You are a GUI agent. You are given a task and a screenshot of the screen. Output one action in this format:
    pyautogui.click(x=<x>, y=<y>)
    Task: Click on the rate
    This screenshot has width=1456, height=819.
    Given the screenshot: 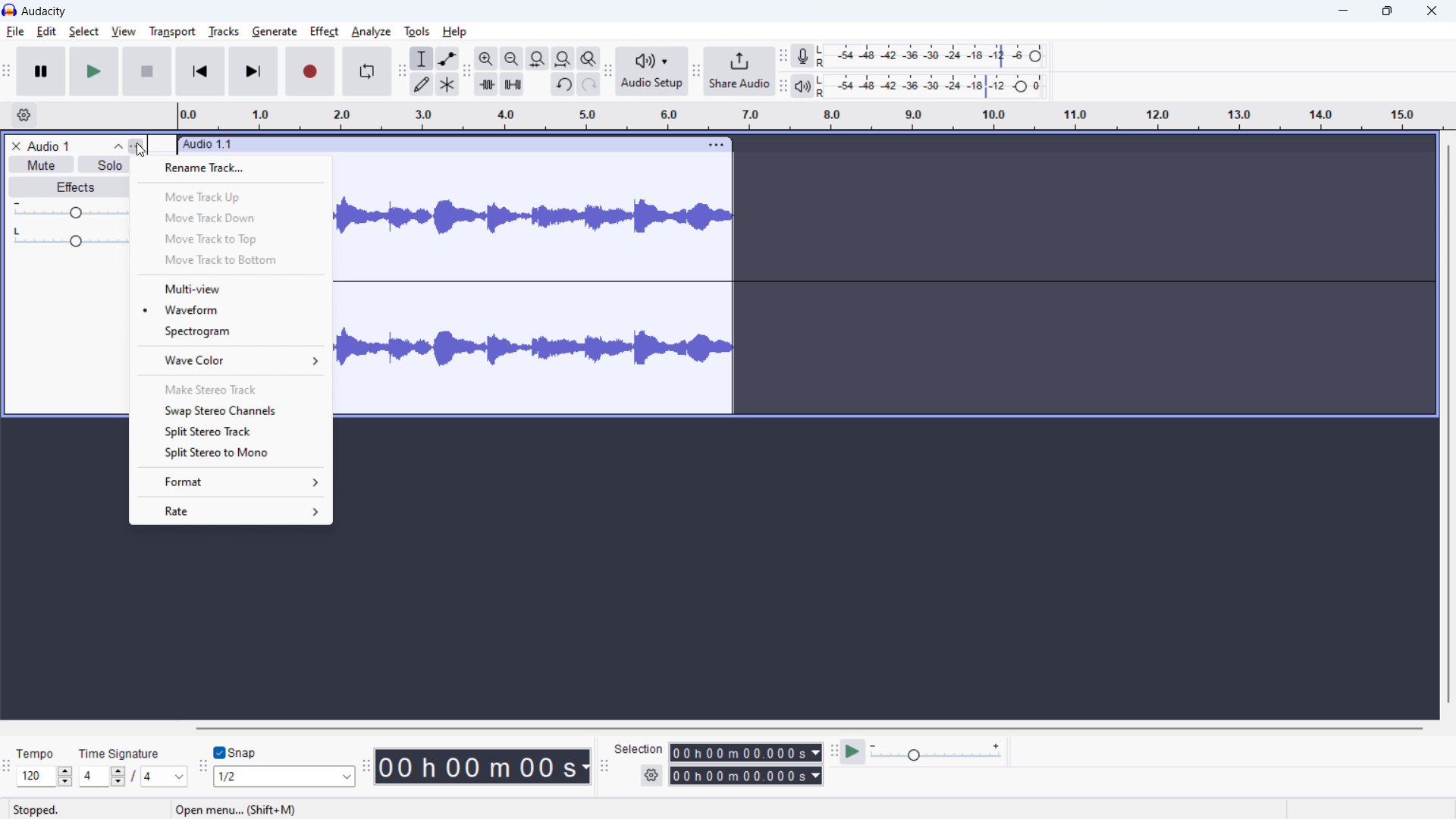 What is the action you would take?
    pyautogui.click(x=230, y=511)
    